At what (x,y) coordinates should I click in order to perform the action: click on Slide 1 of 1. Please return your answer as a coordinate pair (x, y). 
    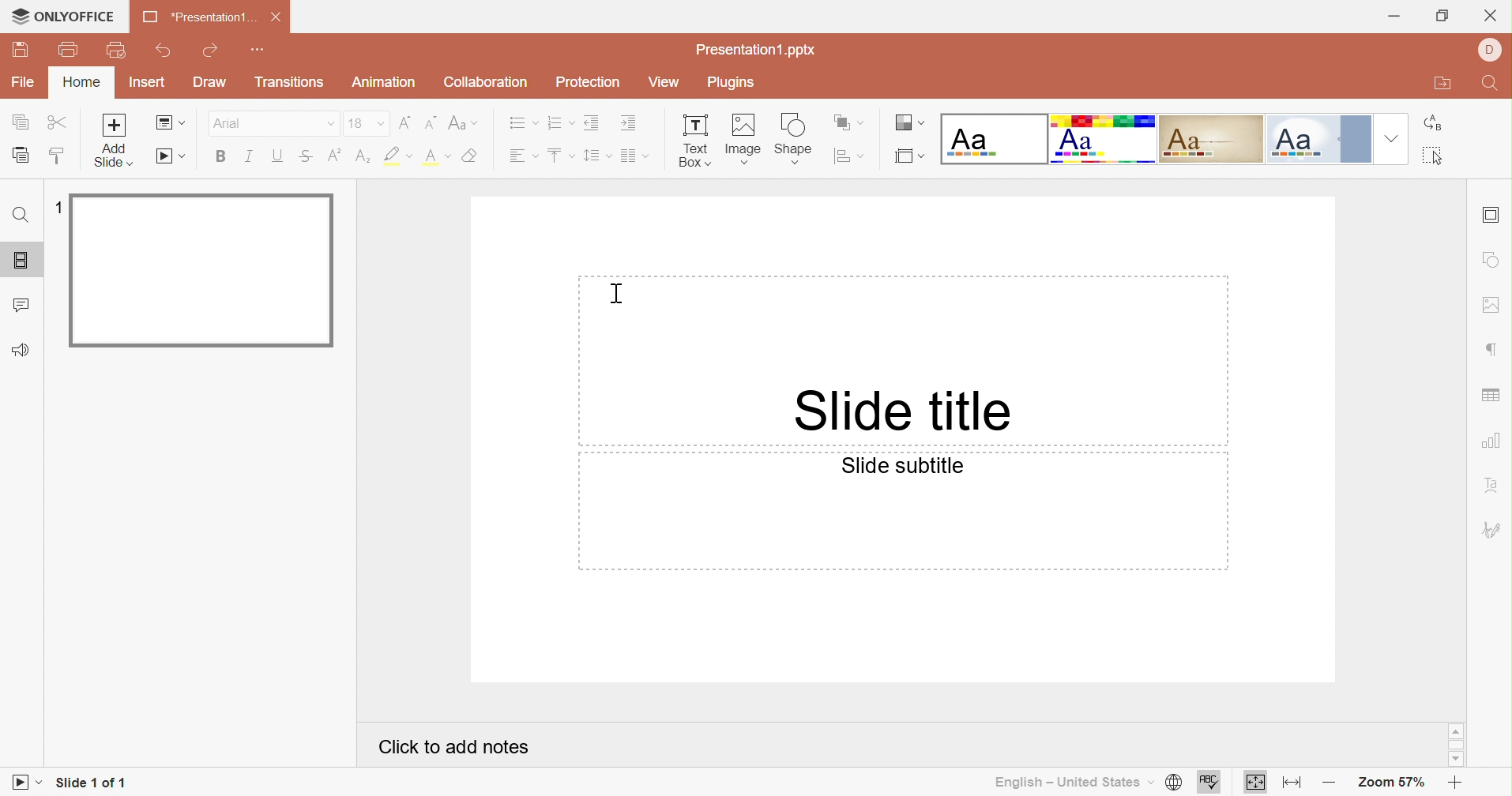
    Looking at the image, I should click on (93, 780).